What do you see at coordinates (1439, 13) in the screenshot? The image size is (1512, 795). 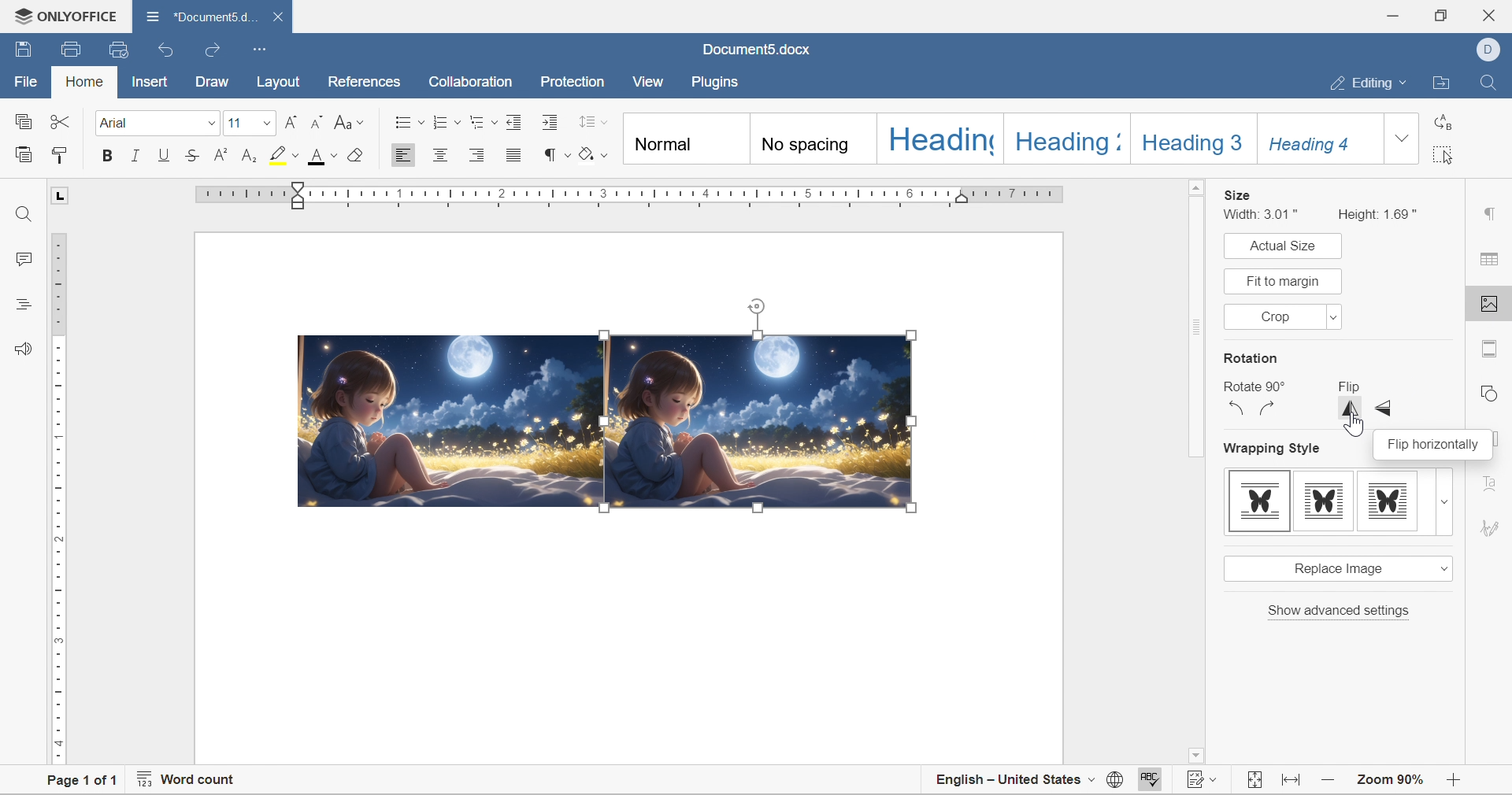 I see `restore down` at bounding box center [1439, 13].